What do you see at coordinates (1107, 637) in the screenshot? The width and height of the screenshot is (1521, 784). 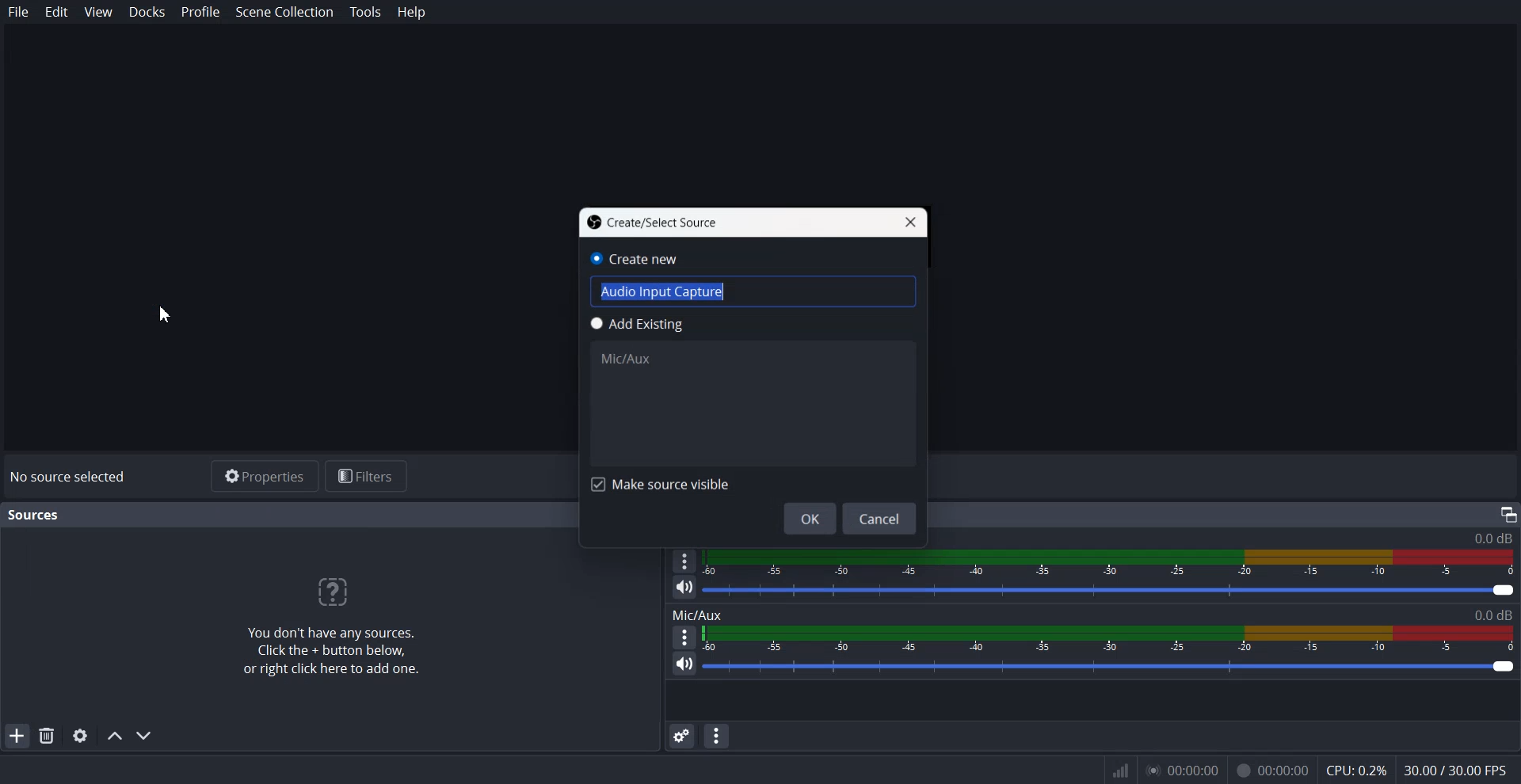 I see `Volume Indicator` at bounding box center [1107, 637].